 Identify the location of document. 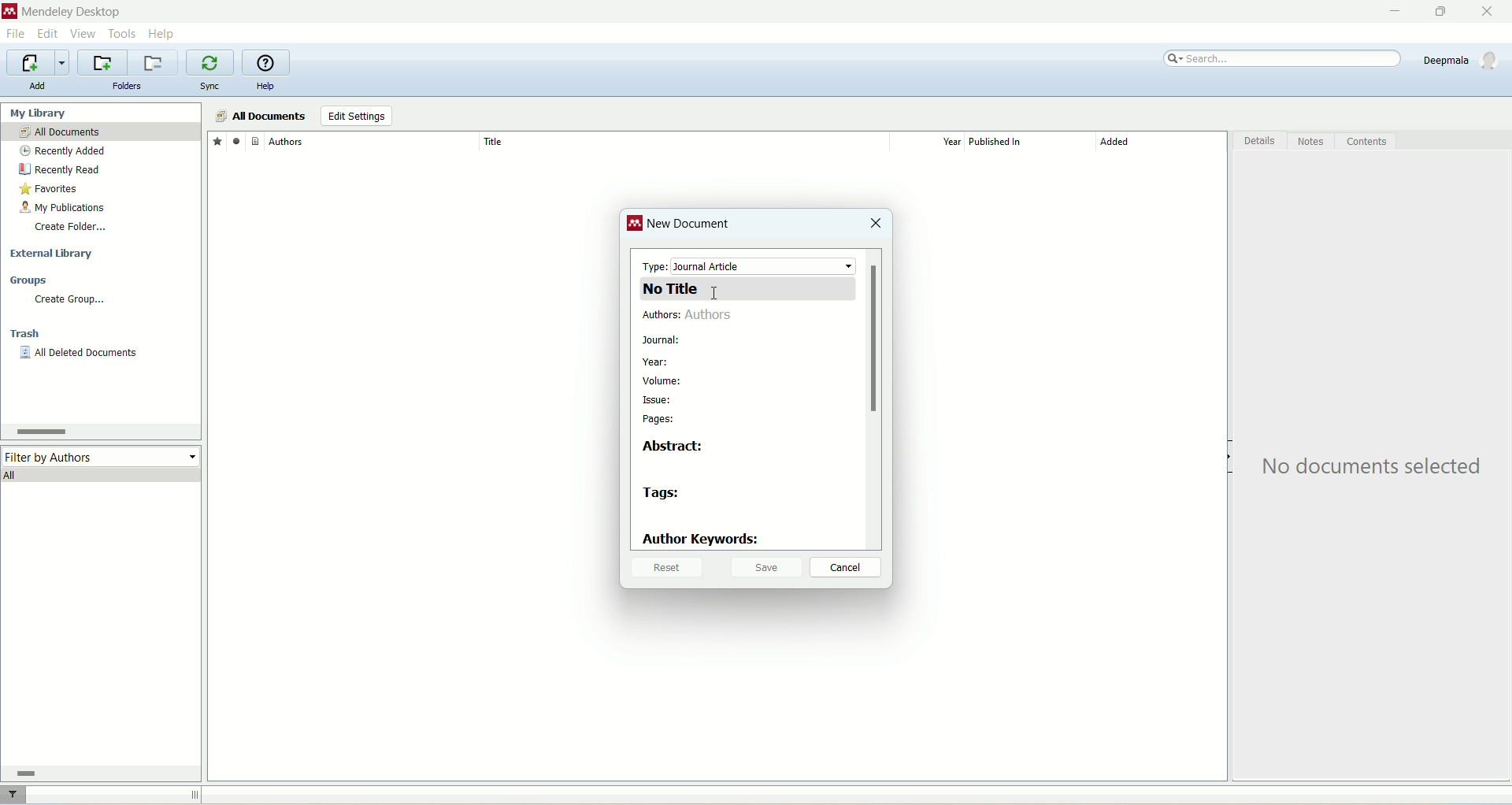
(255, 140).